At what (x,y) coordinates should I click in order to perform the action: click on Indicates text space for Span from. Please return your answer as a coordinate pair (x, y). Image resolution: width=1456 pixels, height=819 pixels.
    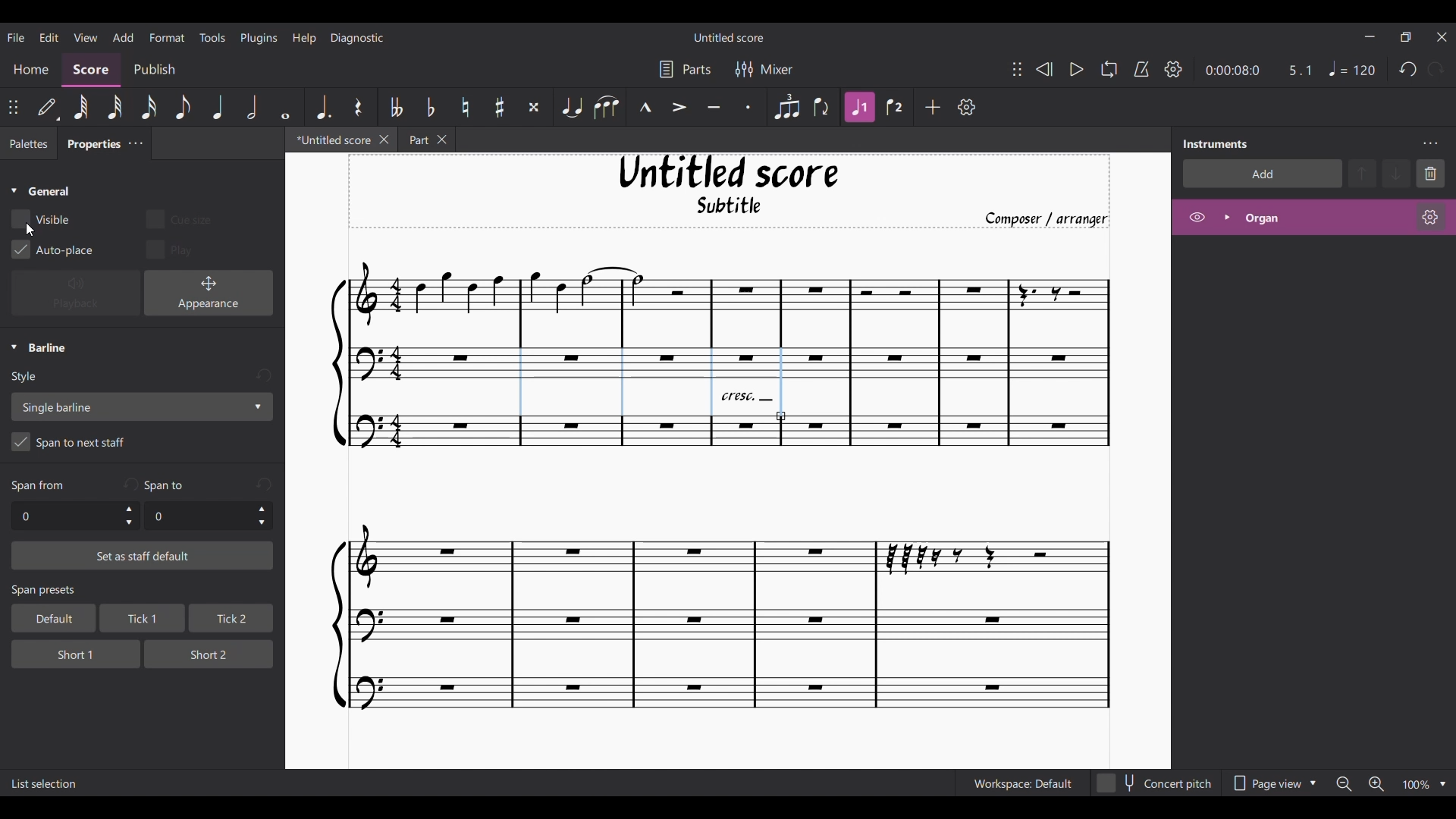
    Looking at the image, I should click on (38, 486).